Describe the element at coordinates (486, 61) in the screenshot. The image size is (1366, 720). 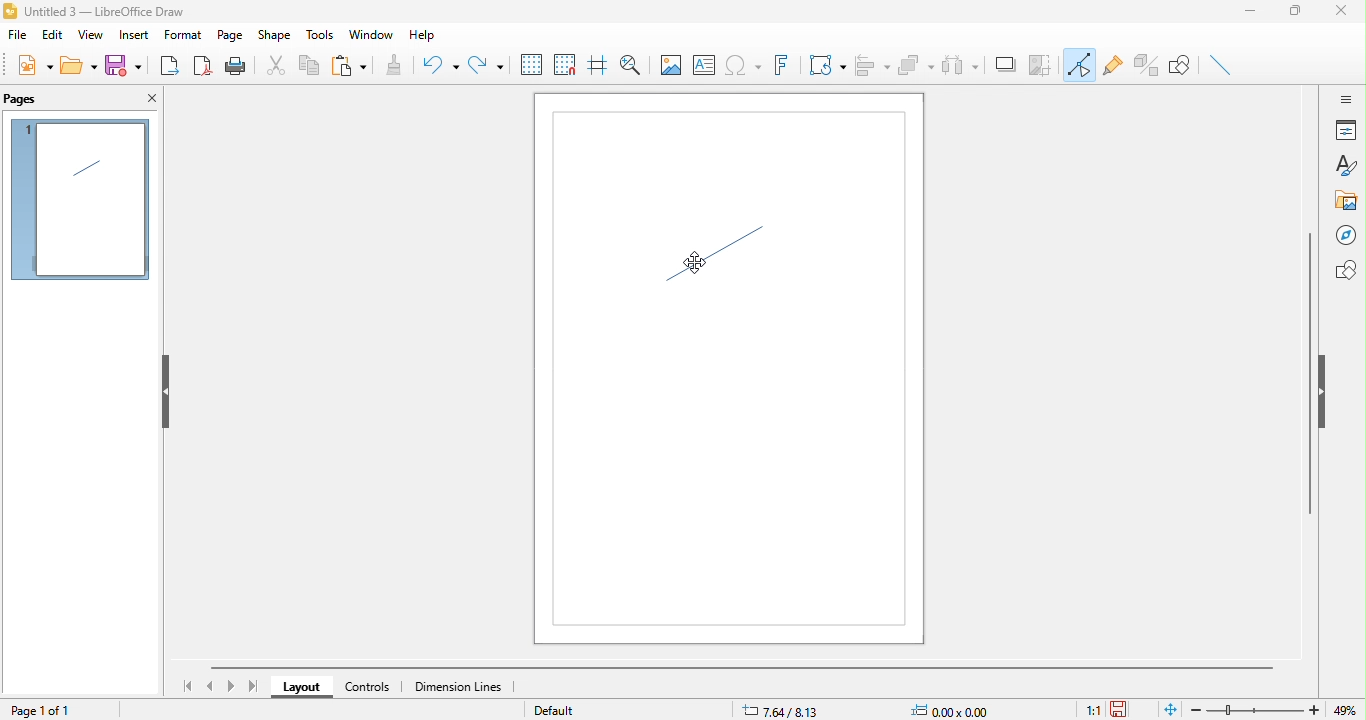
I see `redo` at that location.